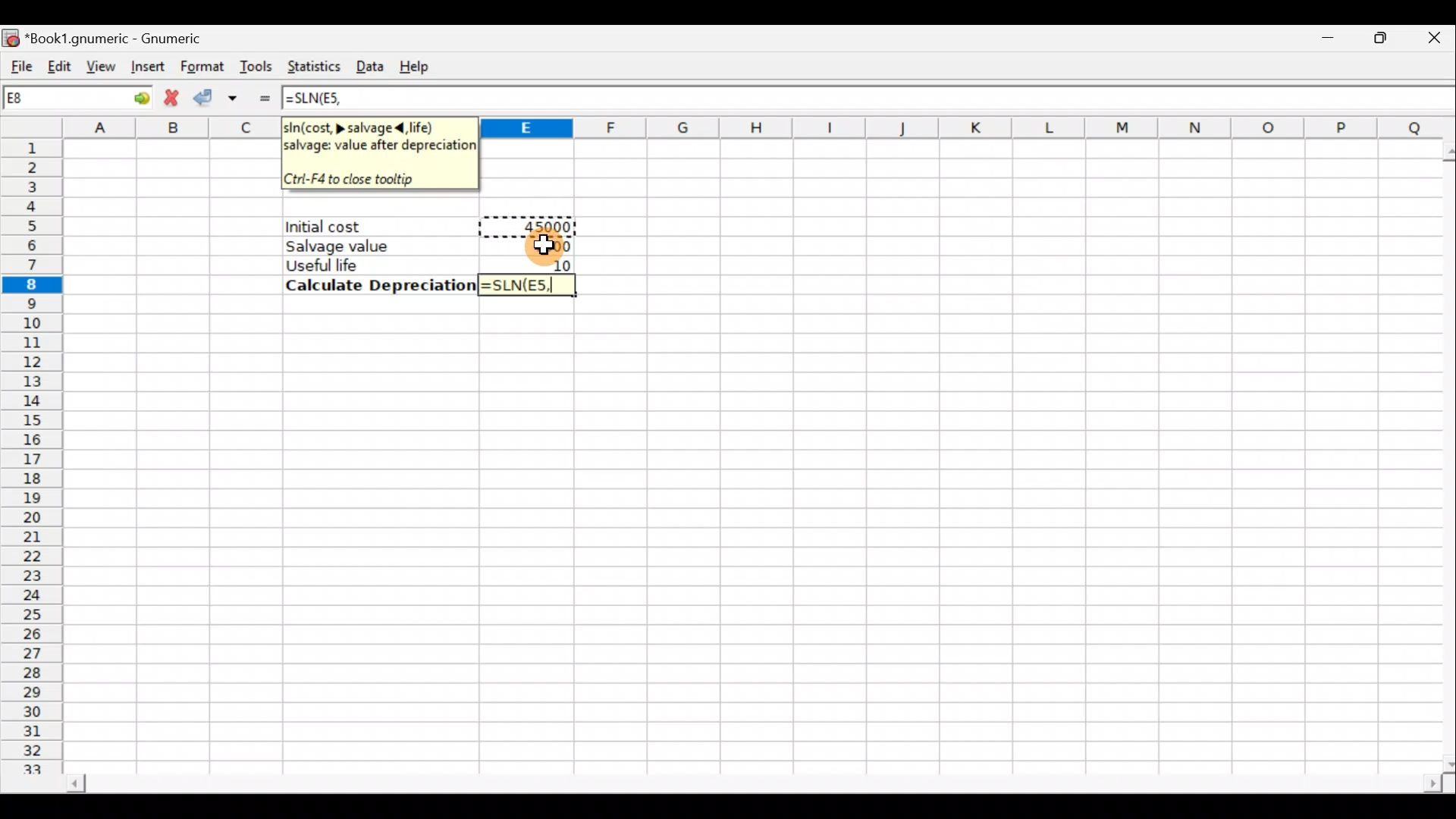  I want to click on Cells, so click(747, 538).